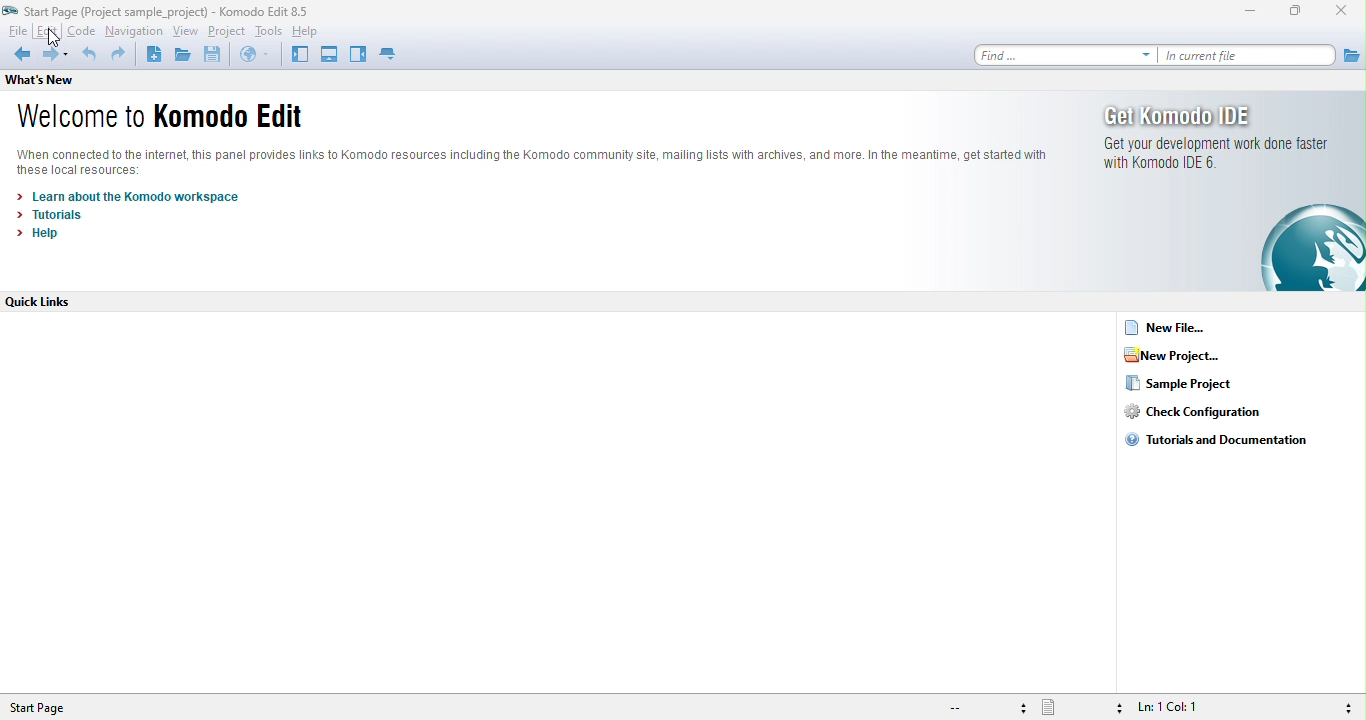 The height and width of the screenshot is (720, 1366). Describe the element at coordinates (1066, 55) in the screenshot. I see `find` at that location.